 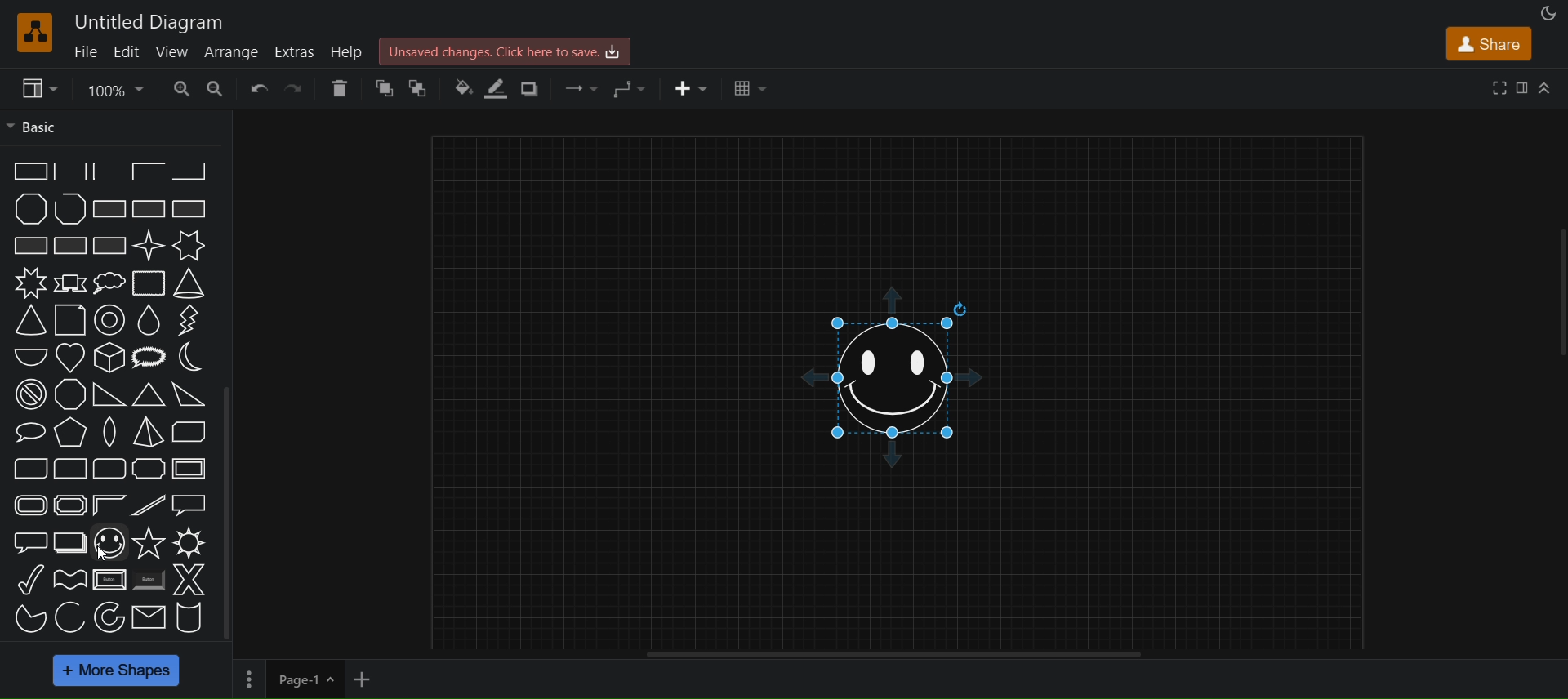 I want to click on frame, so click(x=191, y=469).